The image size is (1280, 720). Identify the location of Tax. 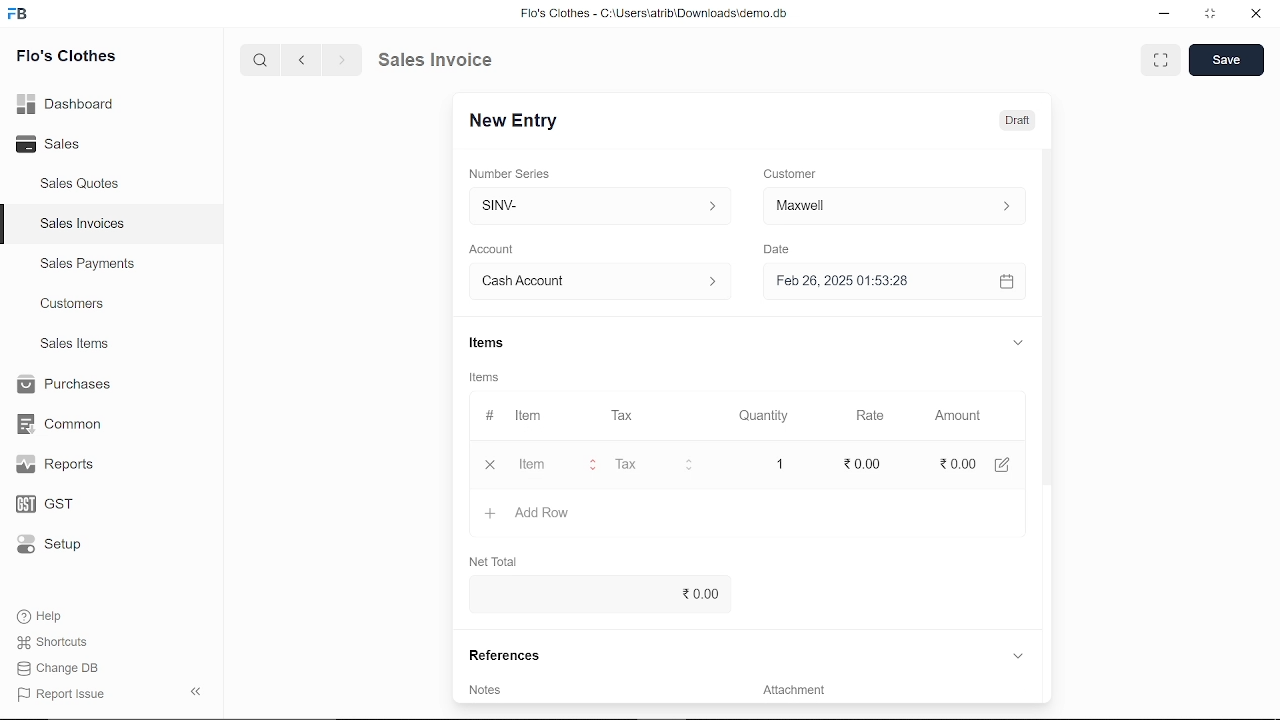
(626, 416).